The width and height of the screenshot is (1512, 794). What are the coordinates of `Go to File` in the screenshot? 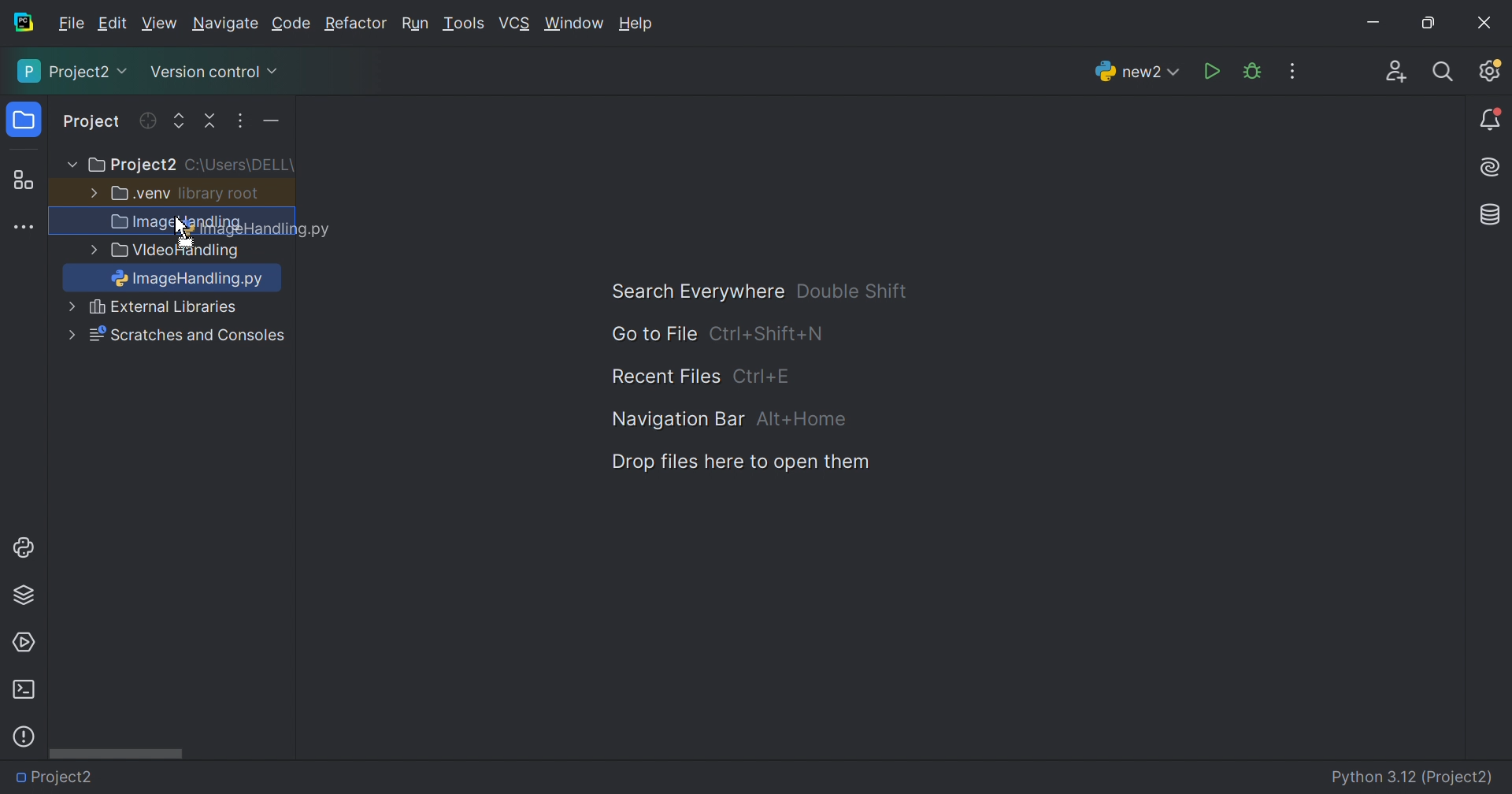 It's located at (653, 334).